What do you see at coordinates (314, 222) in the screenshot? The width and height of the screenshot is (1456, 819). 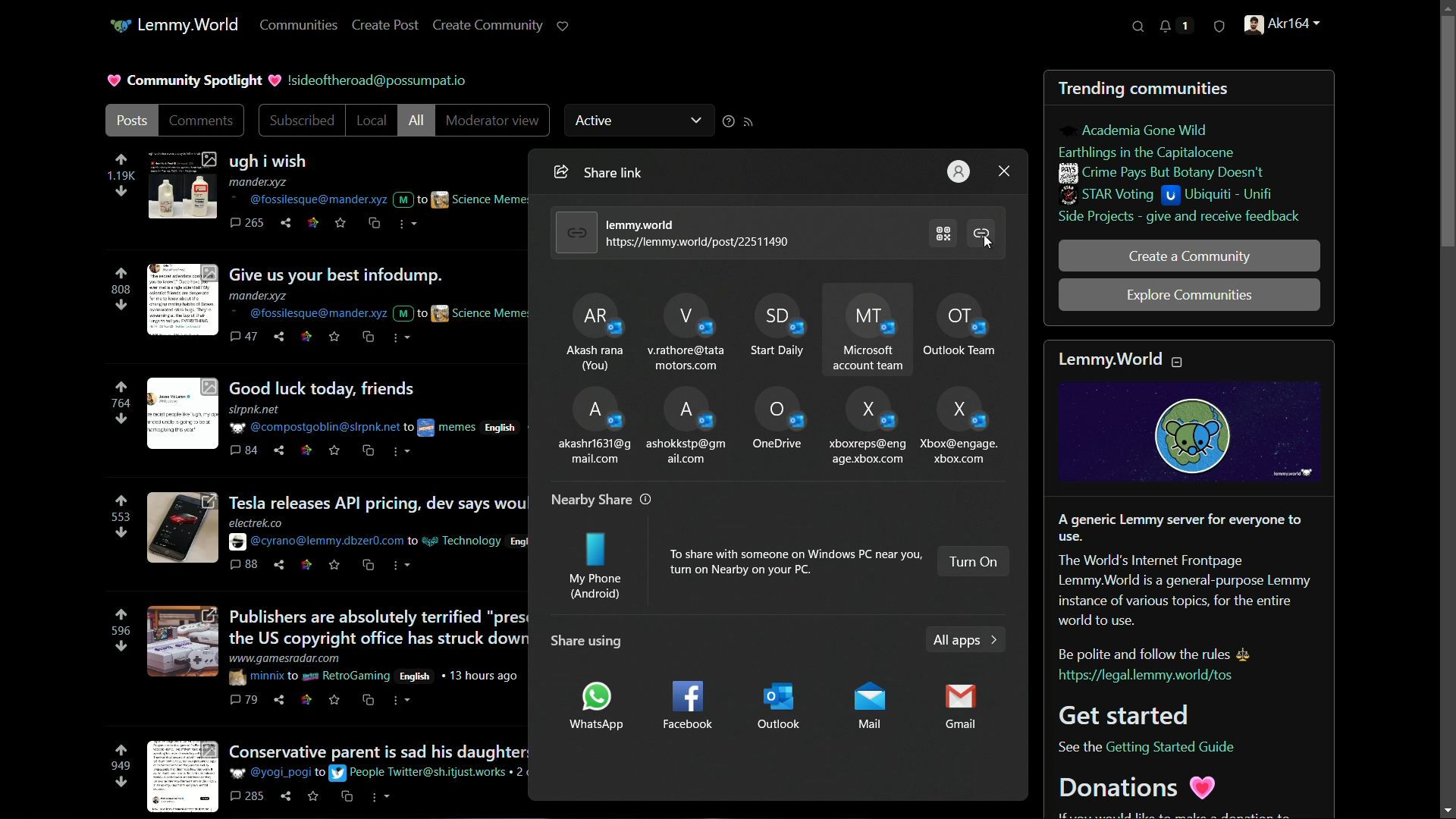 I see `link` at bounding box center [314, 222].